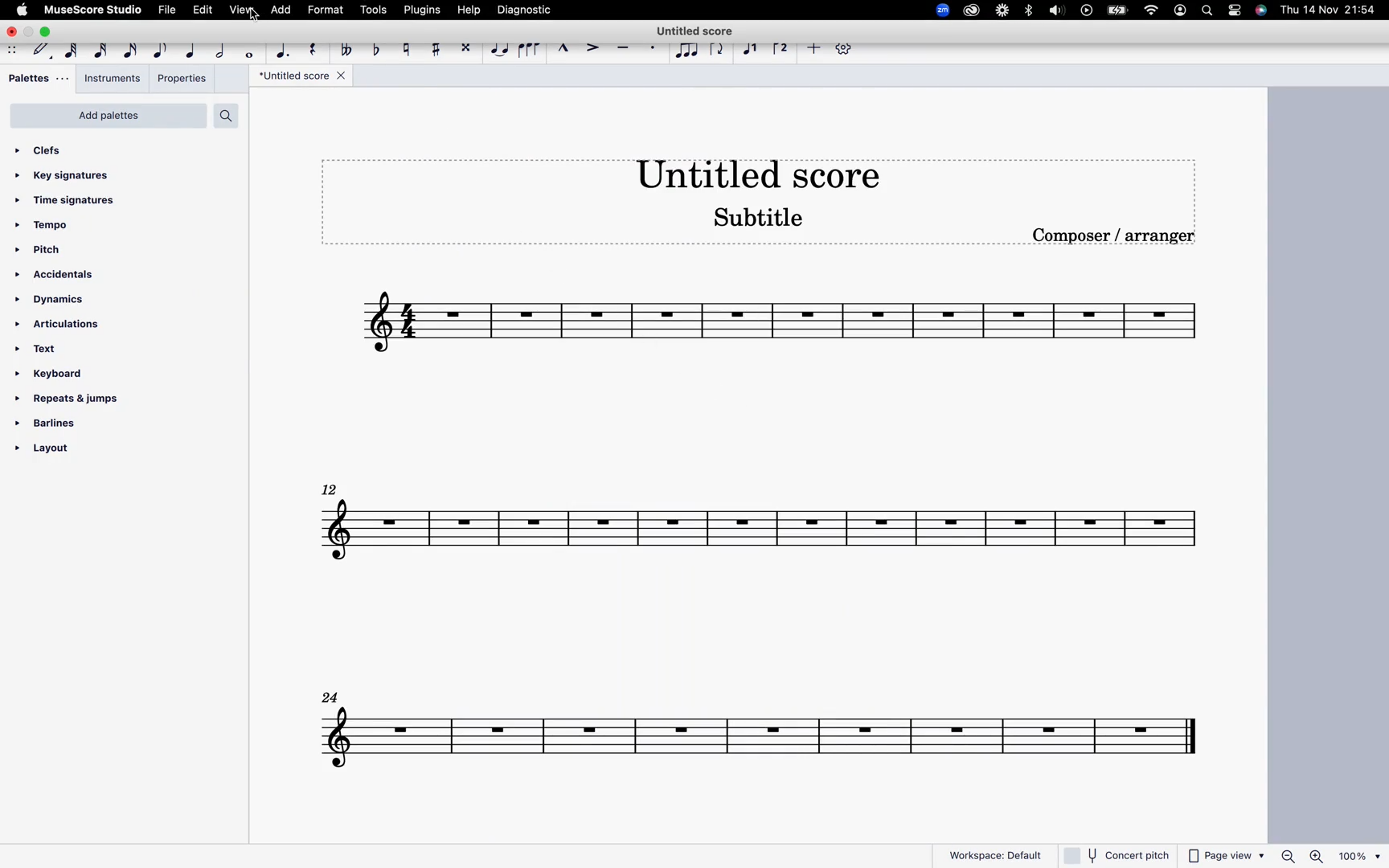 This screenshot has height=868, width=1389. Describe the element at coordinates (372, 12) in the screenshot. I see `tools` at that location.